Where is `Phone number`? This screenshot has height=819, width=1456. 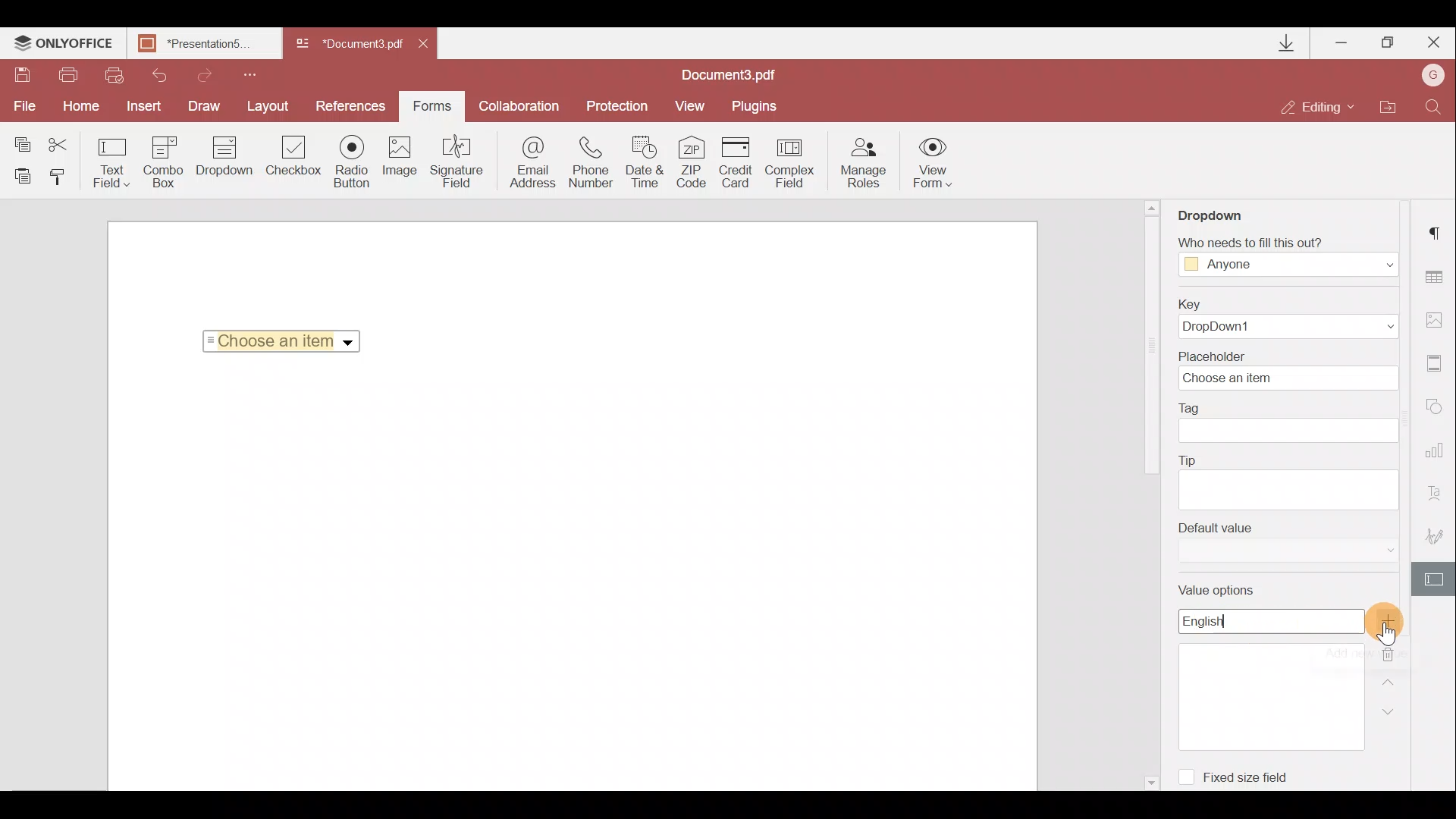
Phone number is located at coordinates (593, 163).